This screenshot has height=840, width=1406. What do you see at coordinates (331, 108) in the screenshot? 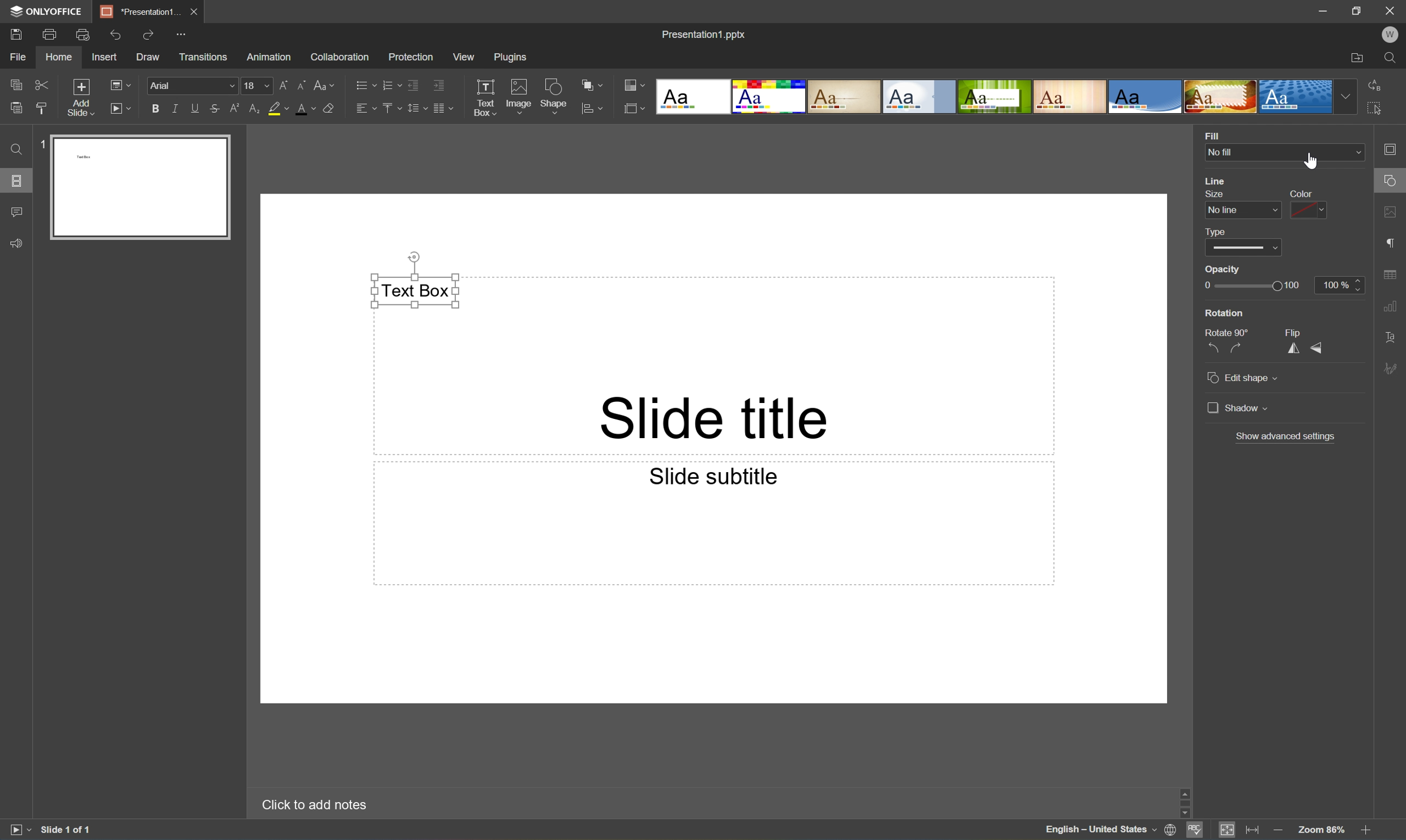
I see `Clear style` at bounding box center [331, 108].